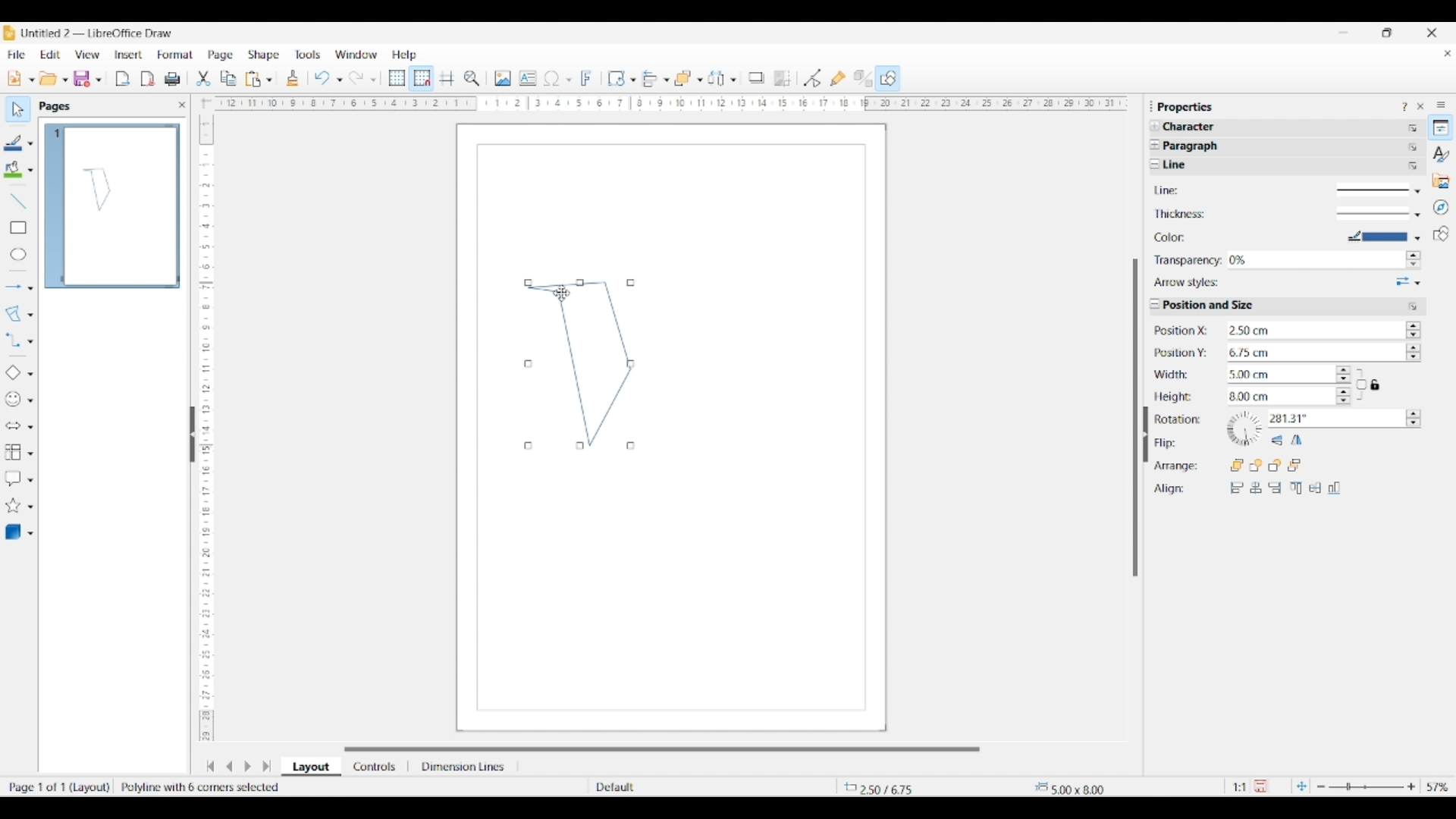 This screenshot has height=819, width=1456. I want to click on Move to next slide, so click(247, 767).